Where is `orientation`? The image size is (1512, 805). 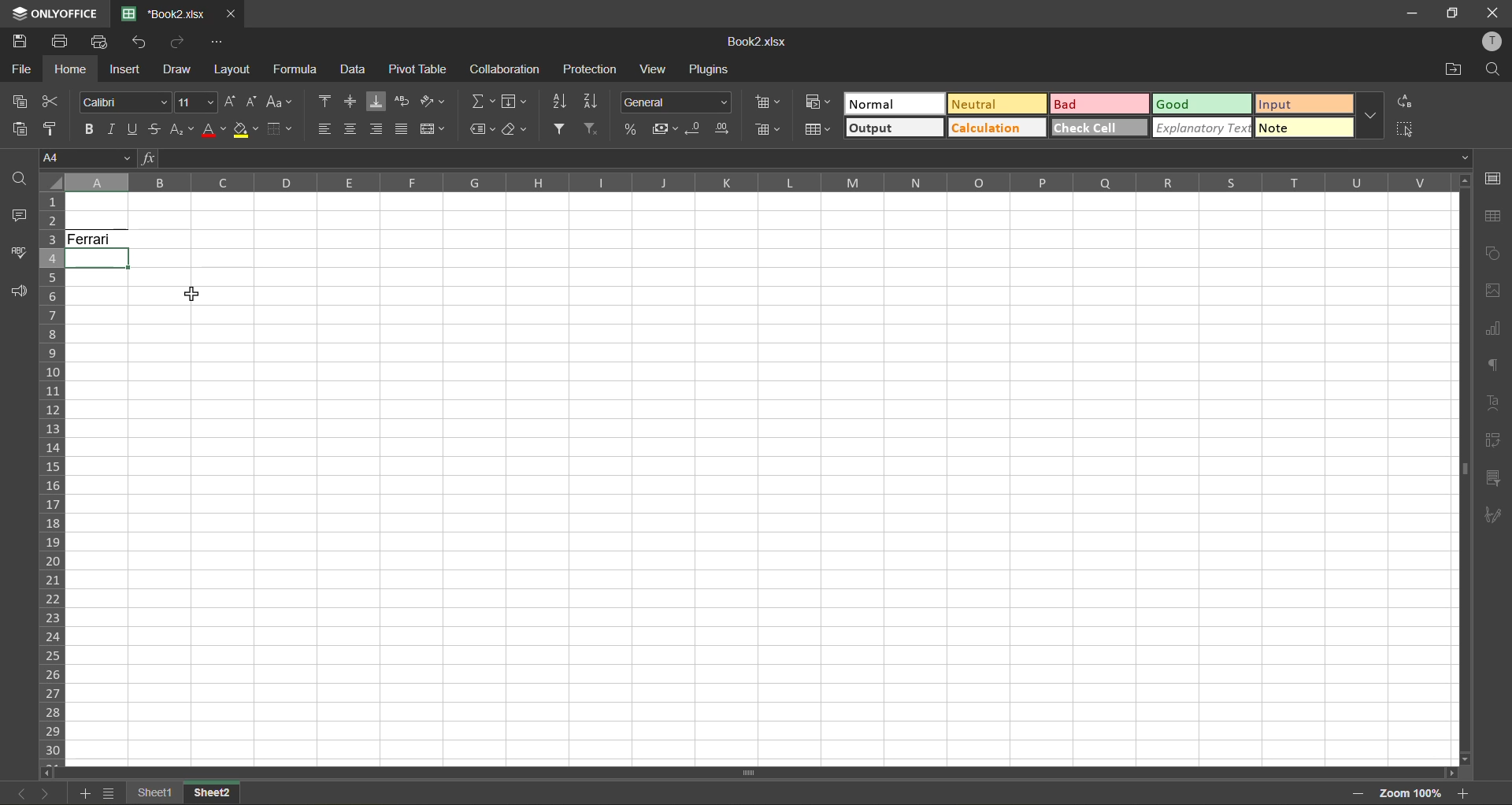 orientation is located at coordinates (431, 98).